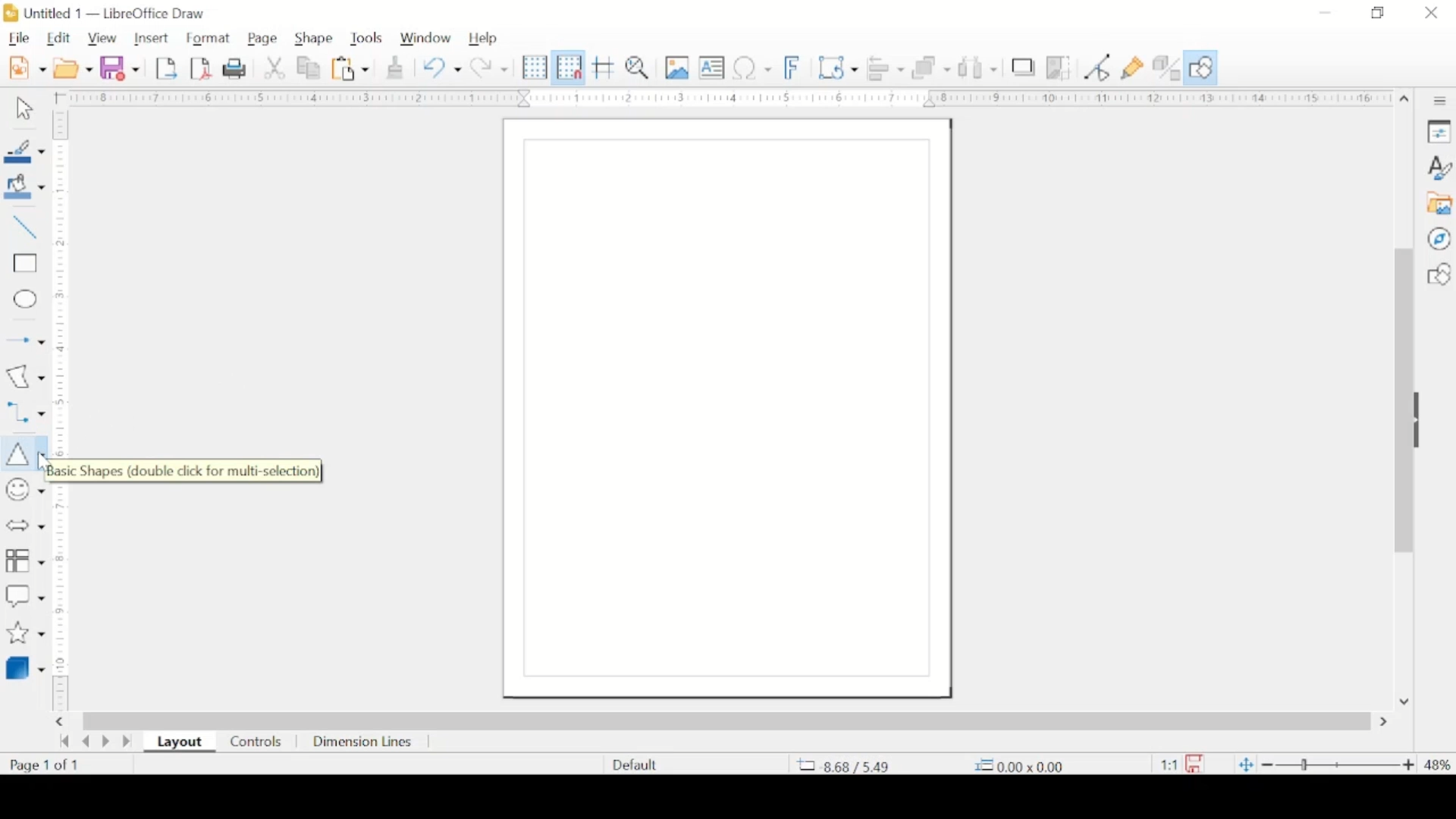  I want to click on drag handle, so click(1423, 421).